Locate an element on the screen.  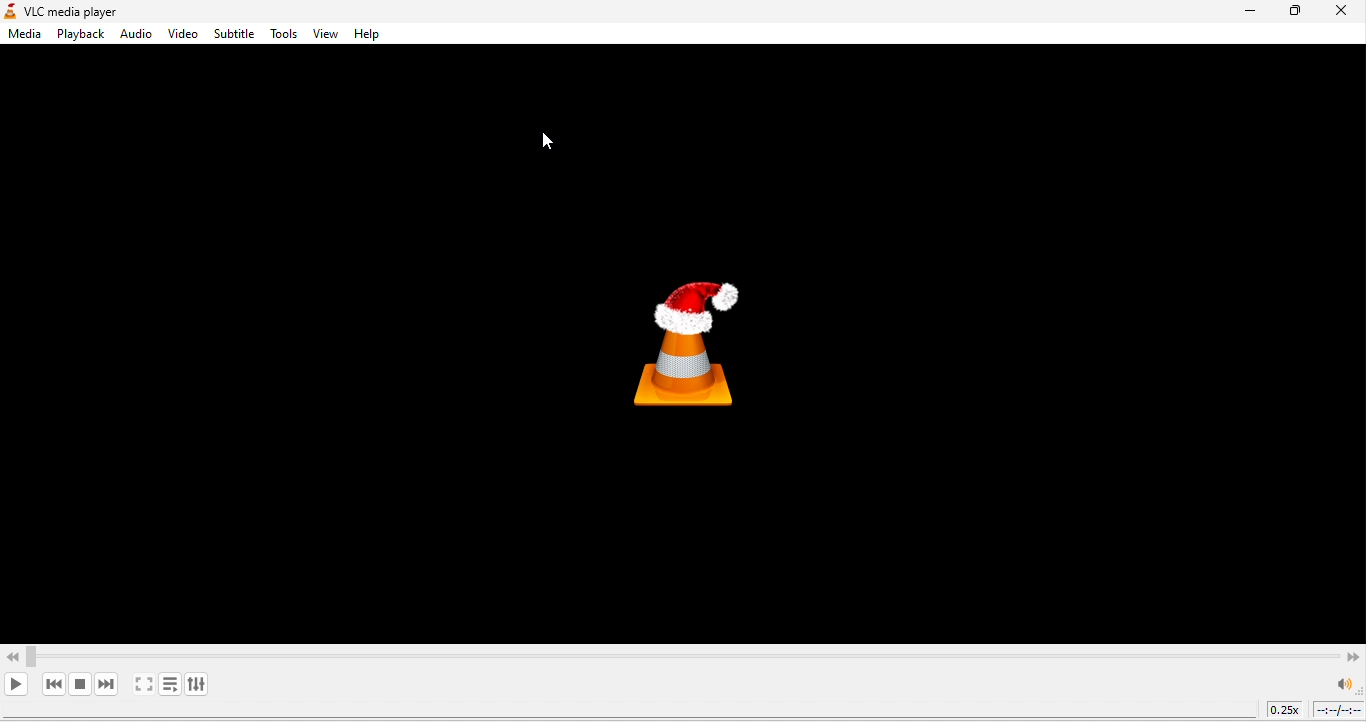
audio is located at coordinates (137, 34).